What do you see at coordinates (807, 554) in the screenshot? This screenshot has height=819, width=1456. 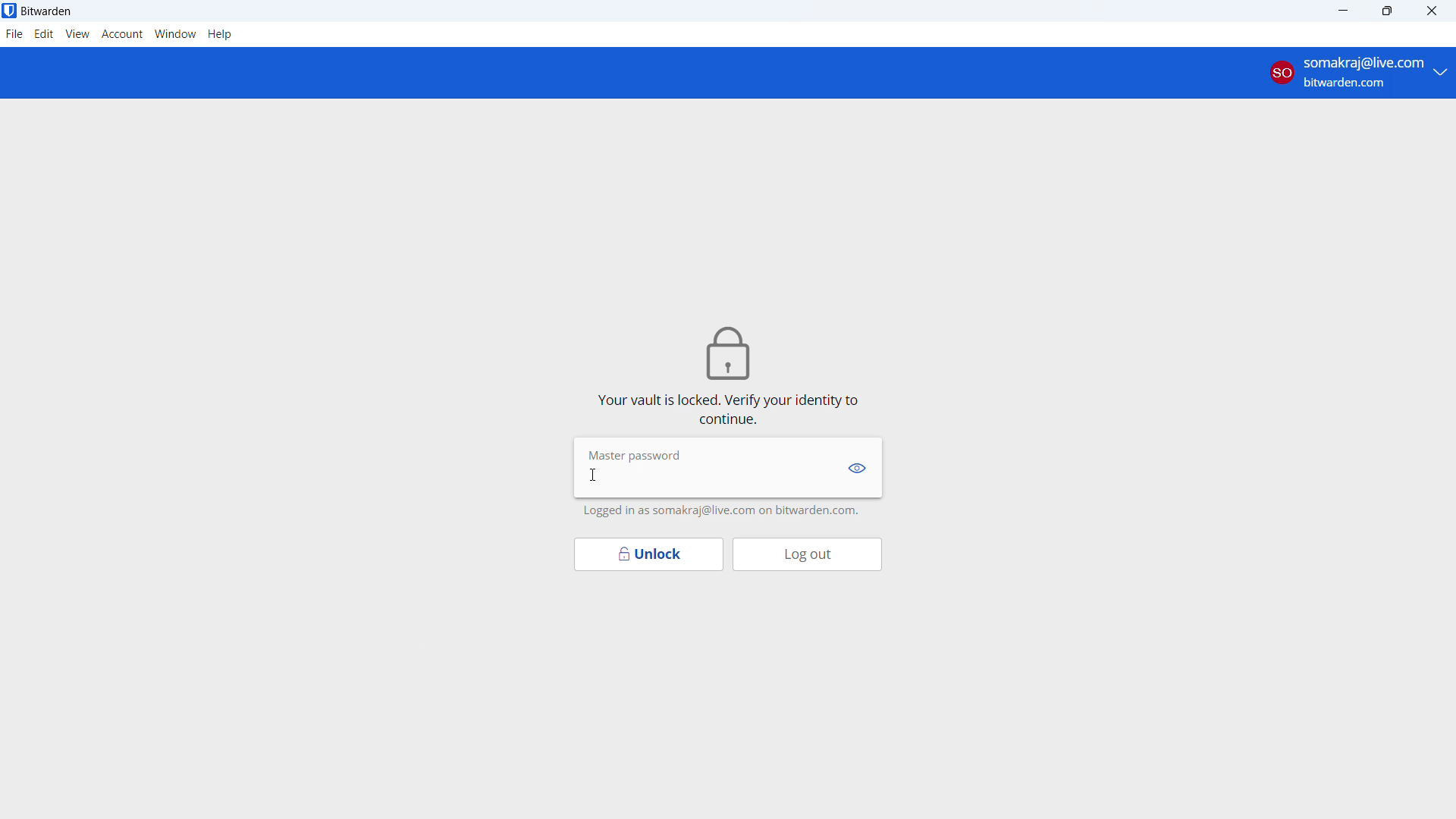 I see `log out` at bounding box center [807, 554].